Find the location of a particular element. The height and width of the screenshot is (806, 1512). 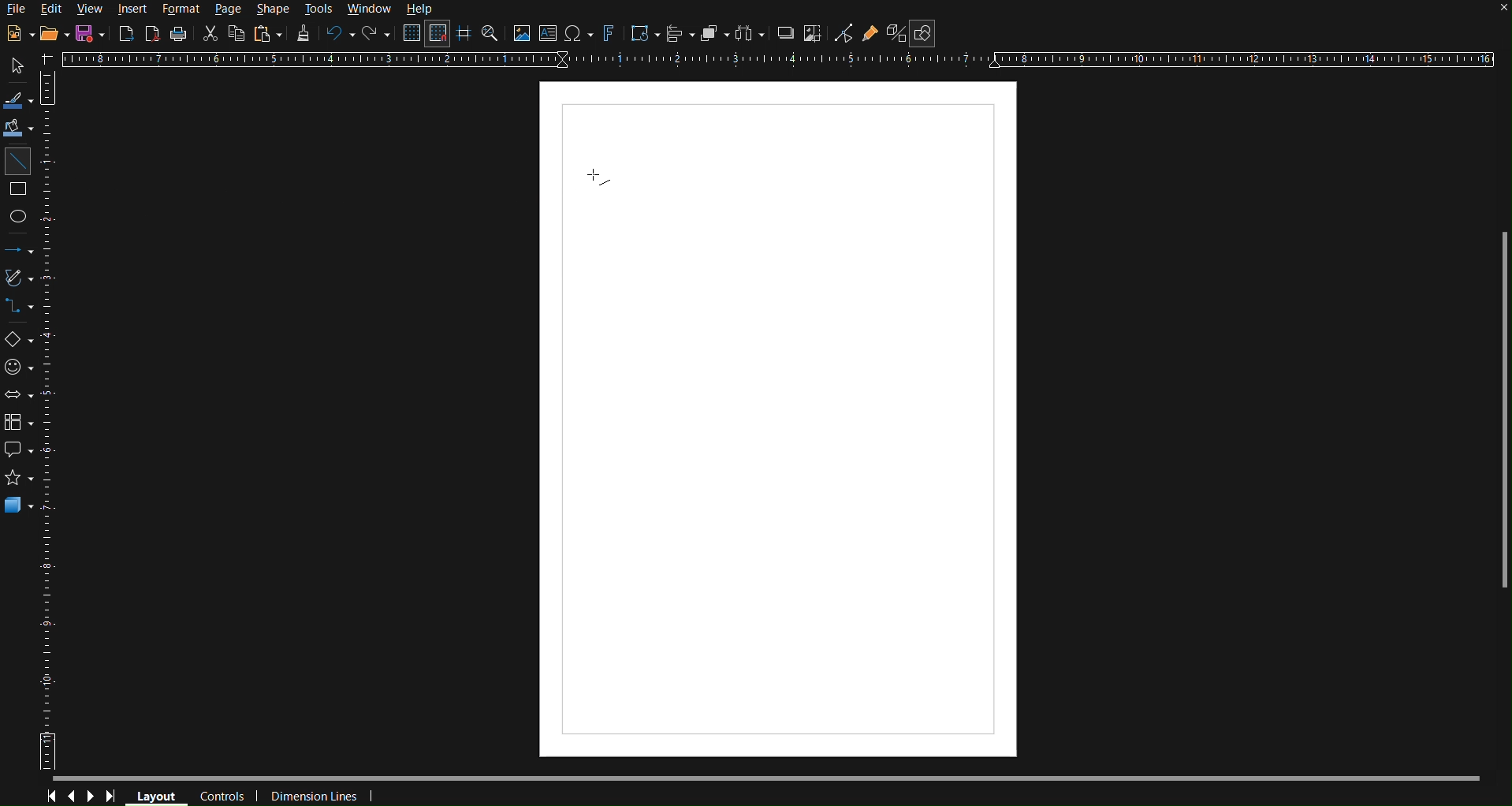

Vertical Horizontal is located at coordinates (51, 420).